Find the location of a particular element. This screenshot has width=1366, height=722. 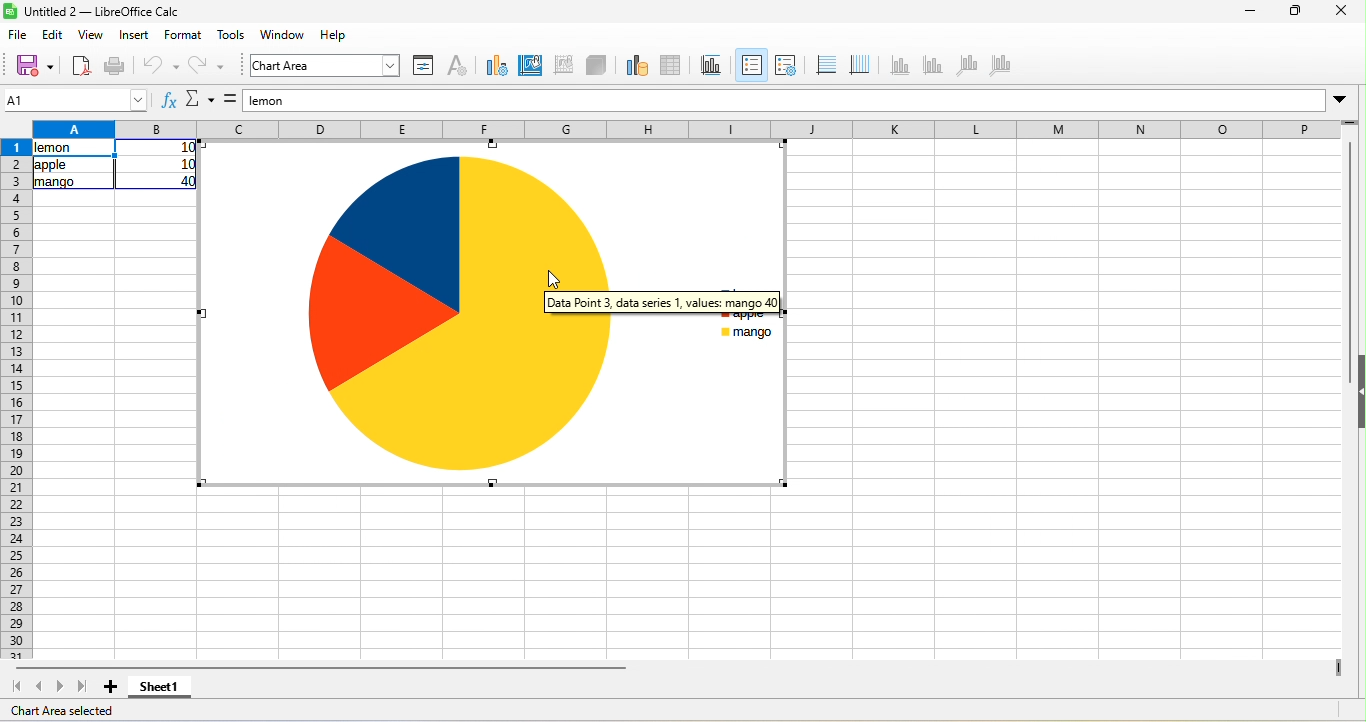

height is located at coordinates (1357, 392).